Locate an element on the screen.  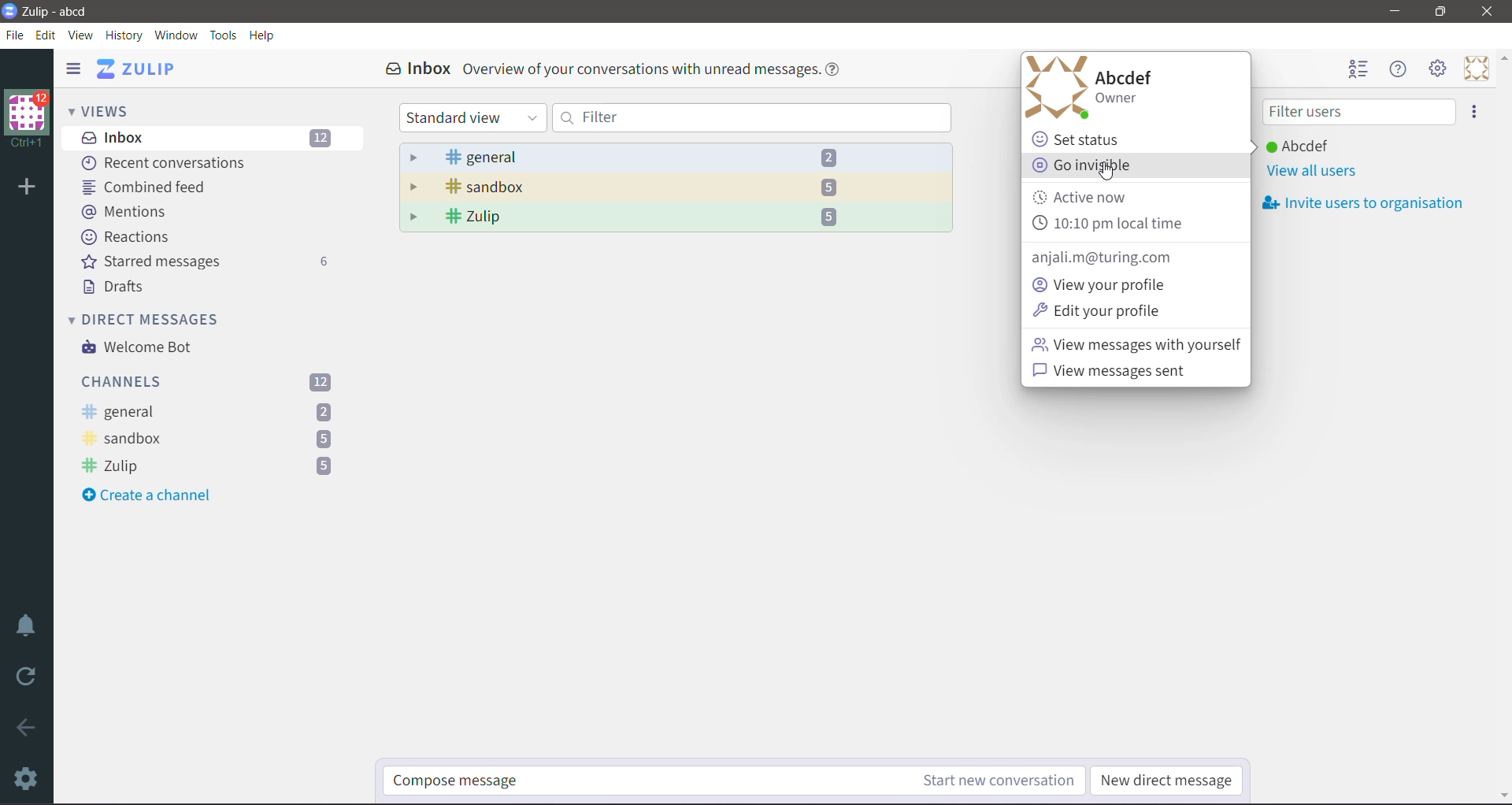
Setting is located at coordinates (1439, 69).